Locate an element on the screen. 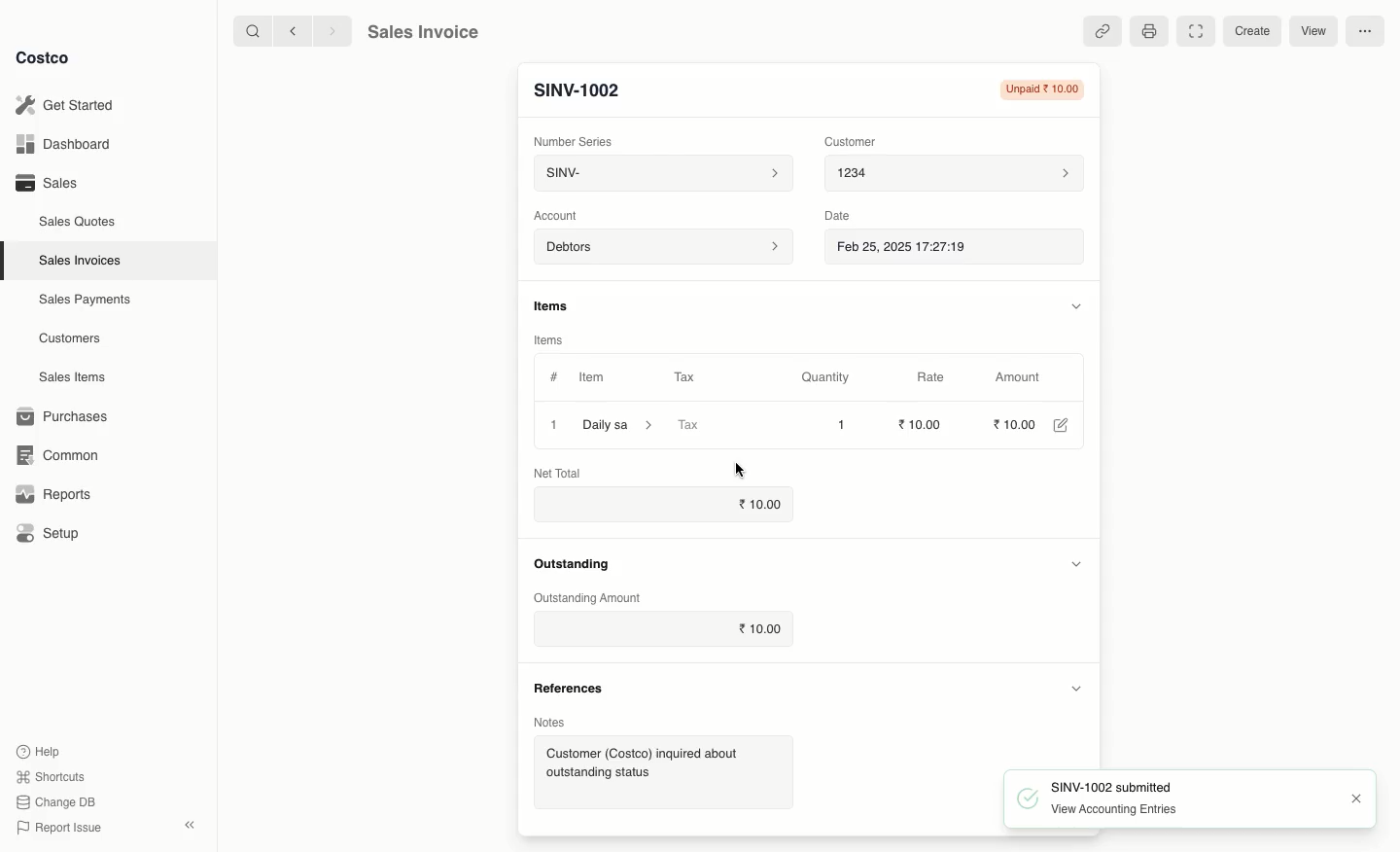 This screenshot has height=852, width=1400. Customer is located at coordinates (852, 143).